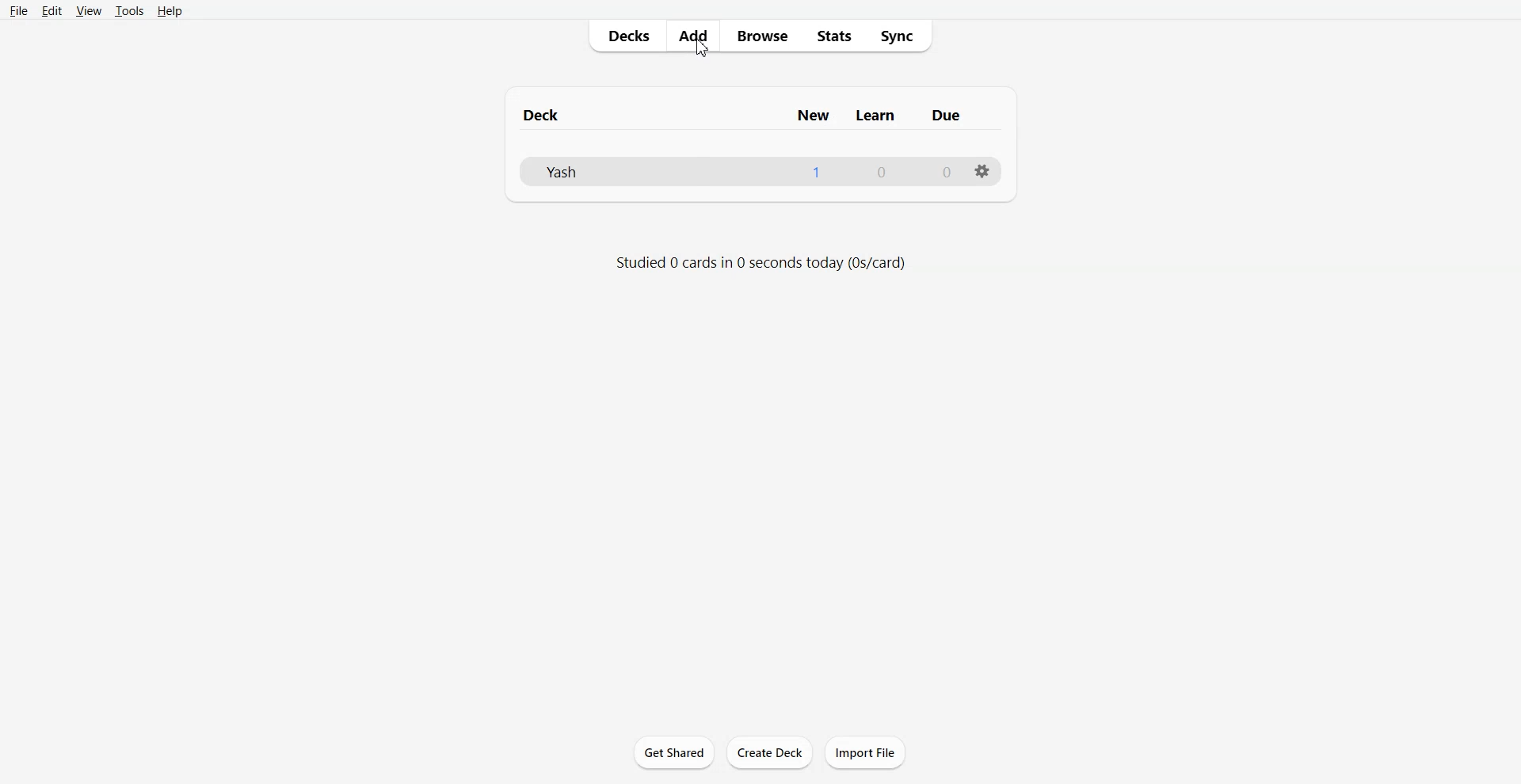  I want to click on Help, so click(169, 12).